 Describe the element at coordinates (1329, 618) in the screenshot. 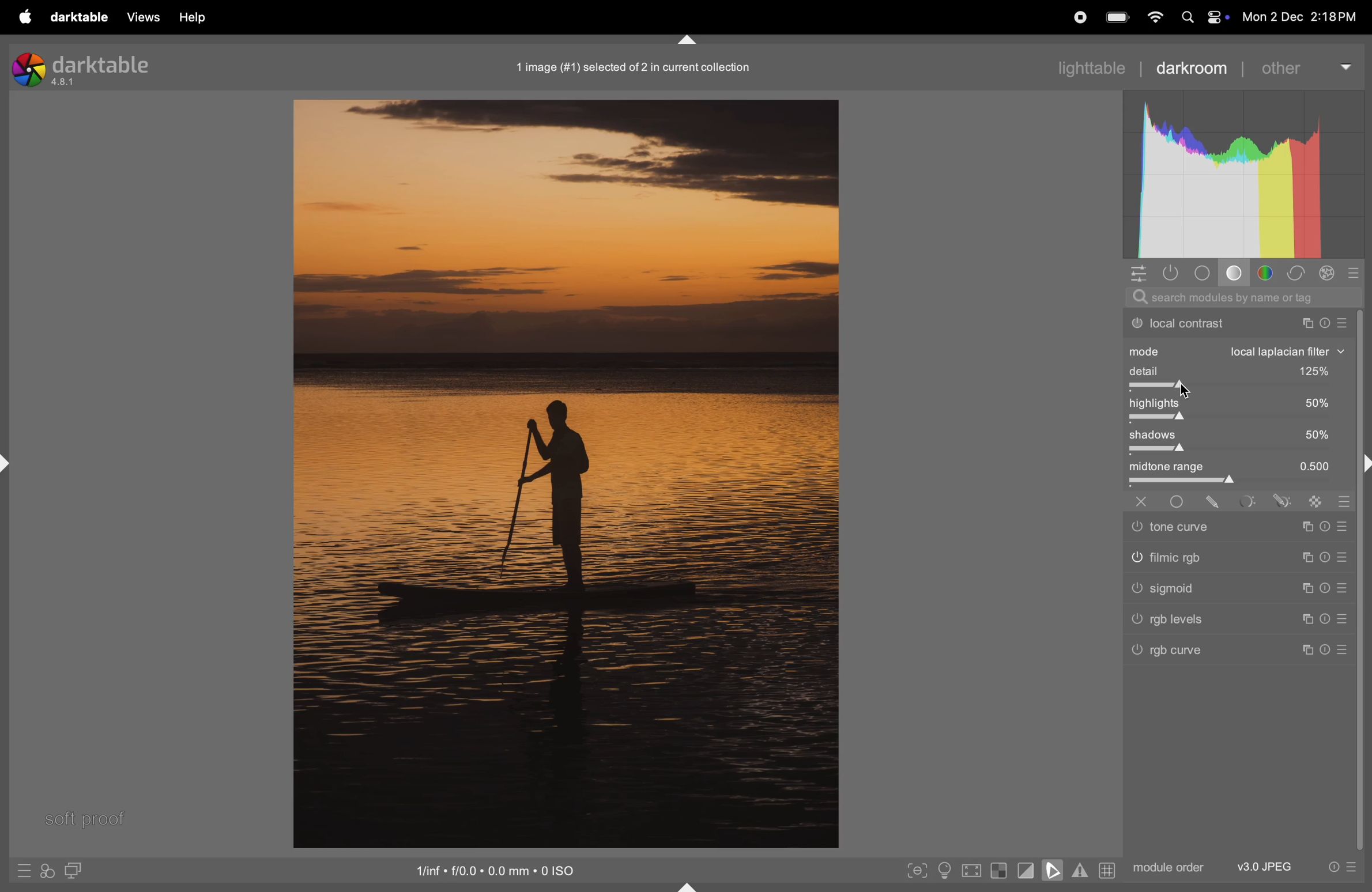

I see `sign ` at that location.